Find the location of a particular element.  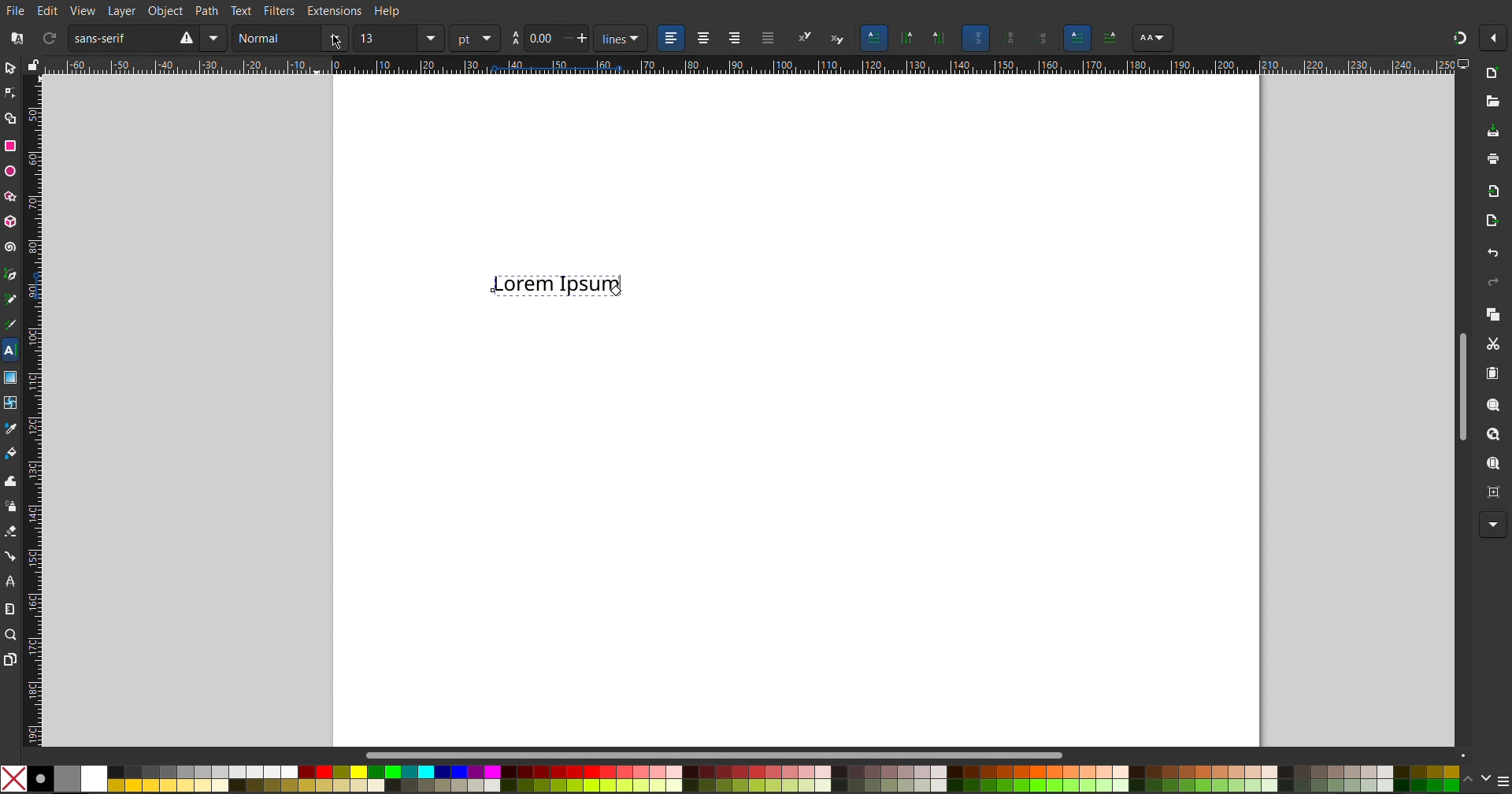

Options is located at coordinates (1496, 39).